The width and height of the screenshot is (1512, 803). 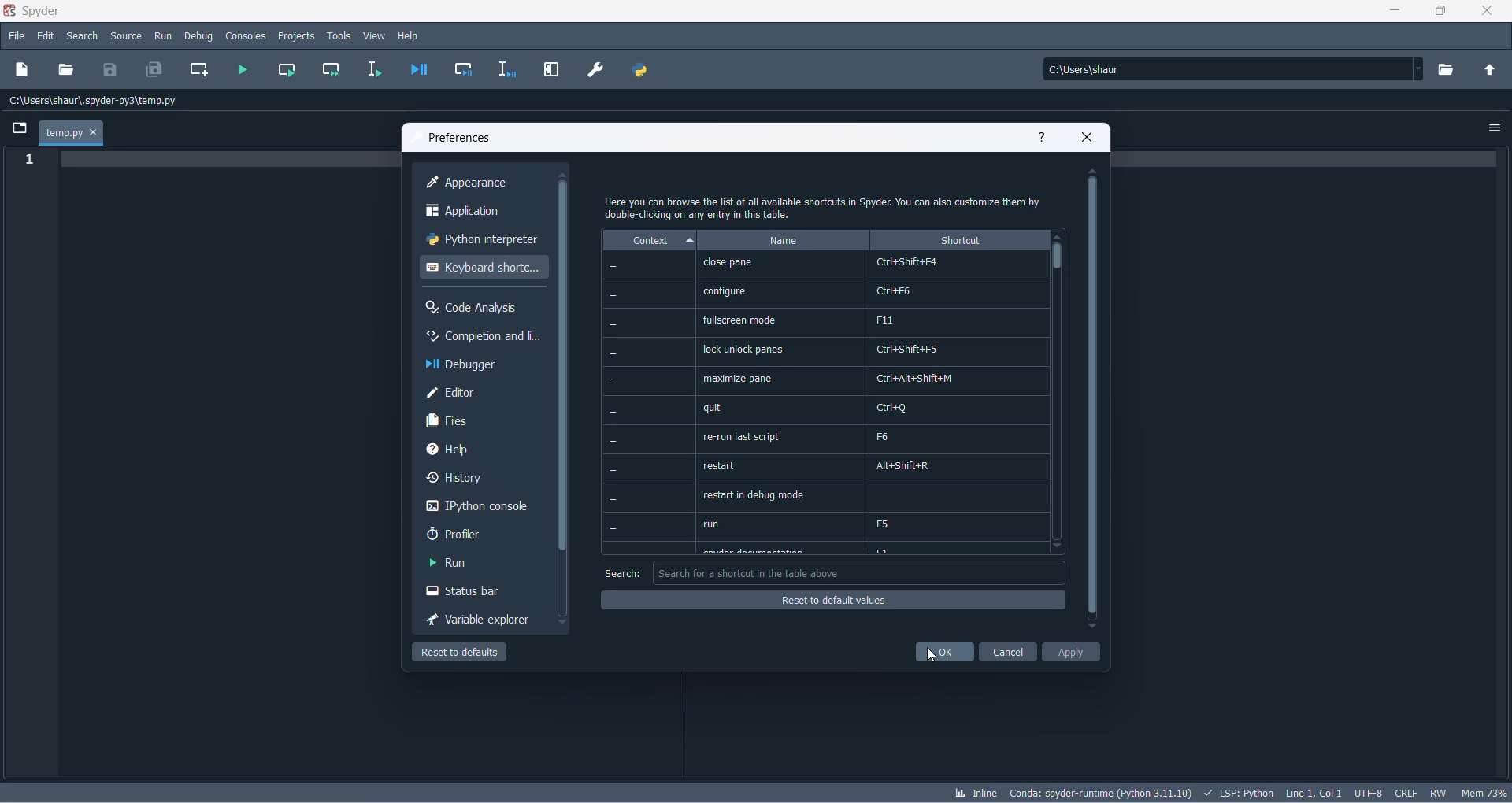 What do you see at coordinates (1059, 237) in the screenshot?
I see `move up` at bounding box center [1059, 237].